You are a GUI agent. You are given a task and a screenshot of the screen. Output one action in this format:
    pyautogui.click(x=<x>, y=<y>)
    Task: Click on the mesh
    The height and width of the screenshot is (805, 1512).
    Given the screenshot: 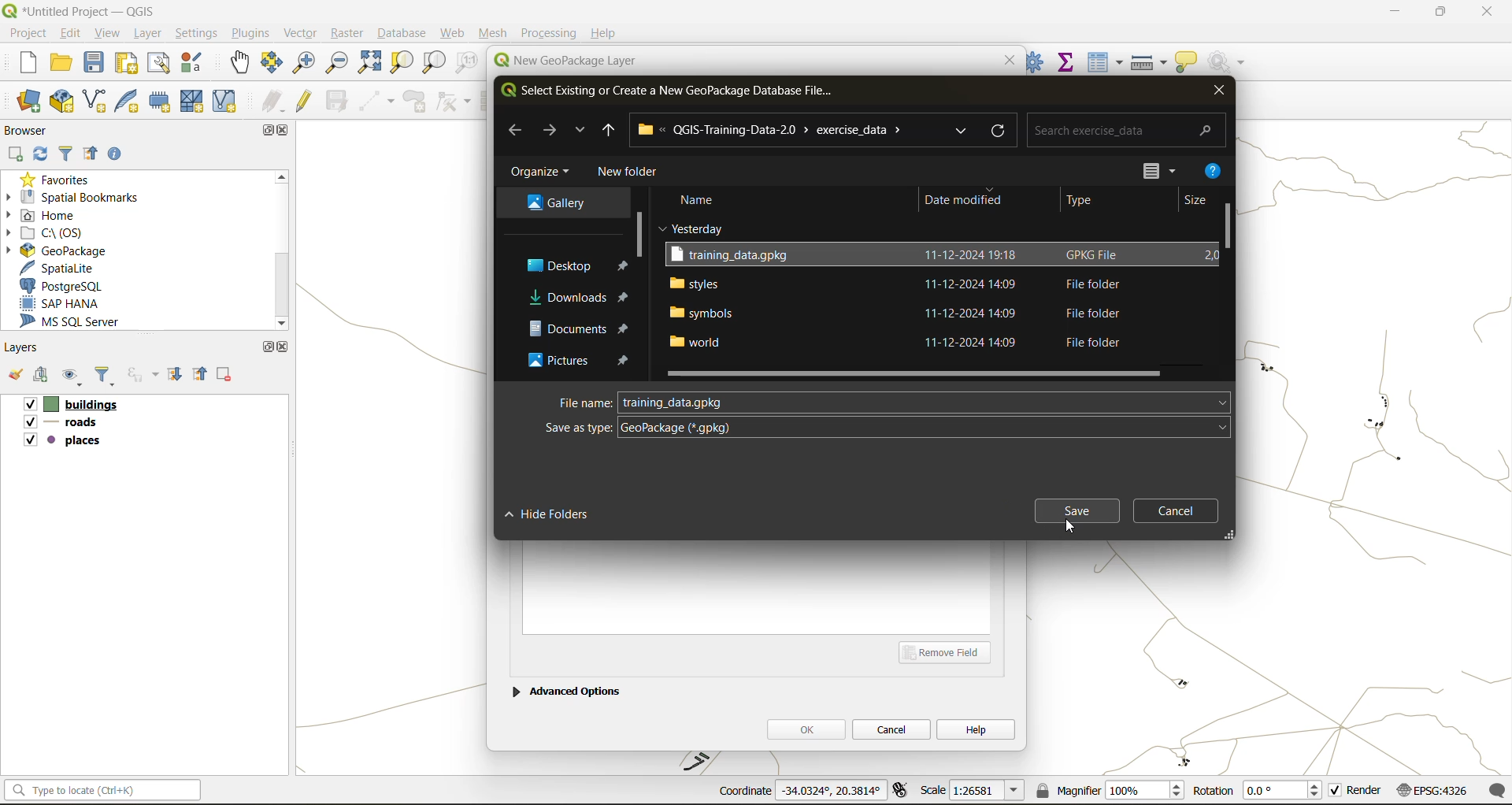 What is the action you would take?
    pyautogui.click(x=194, y=101)
    